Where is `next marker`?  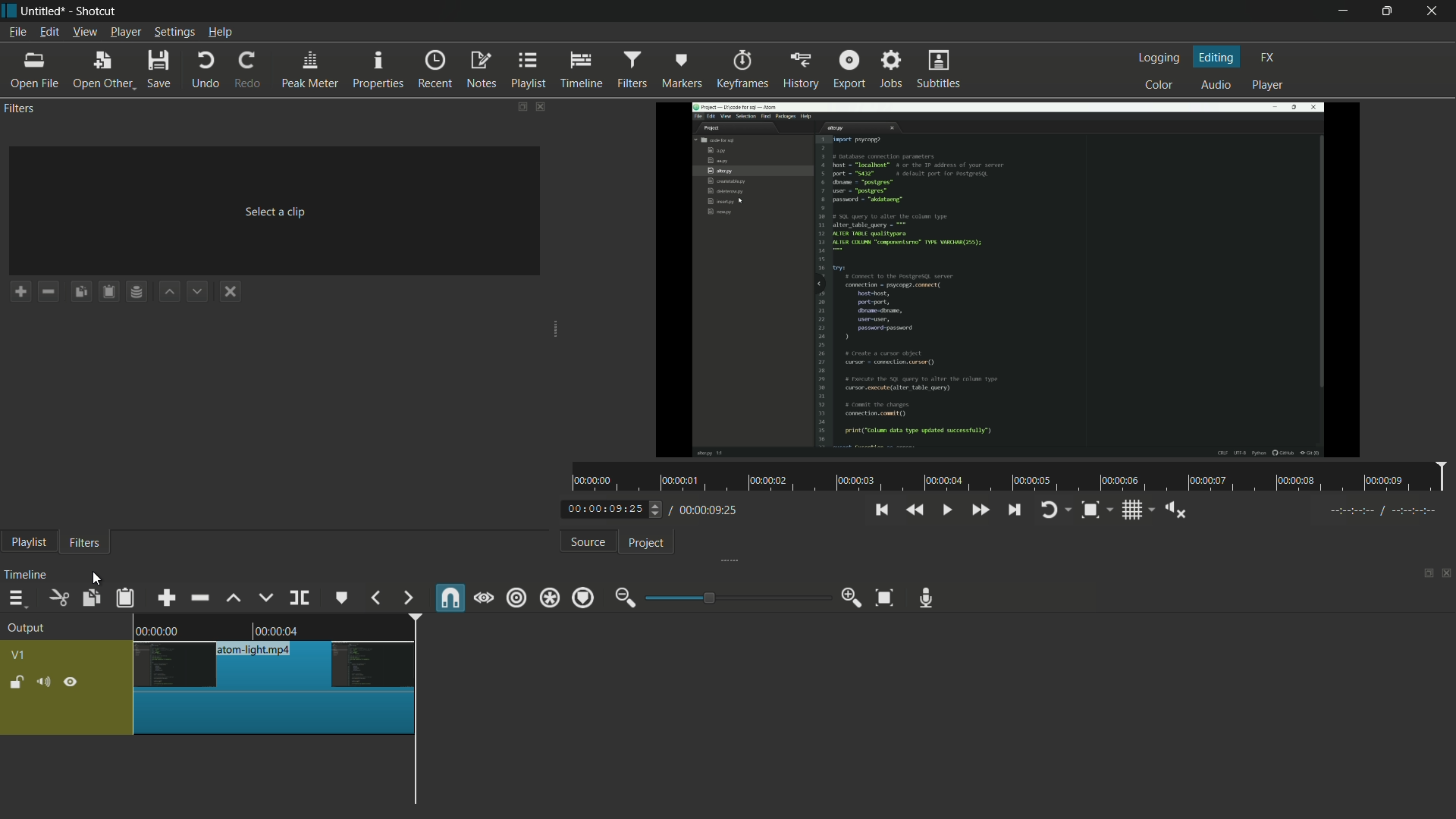
next marker is located at coordinates (407, 598).